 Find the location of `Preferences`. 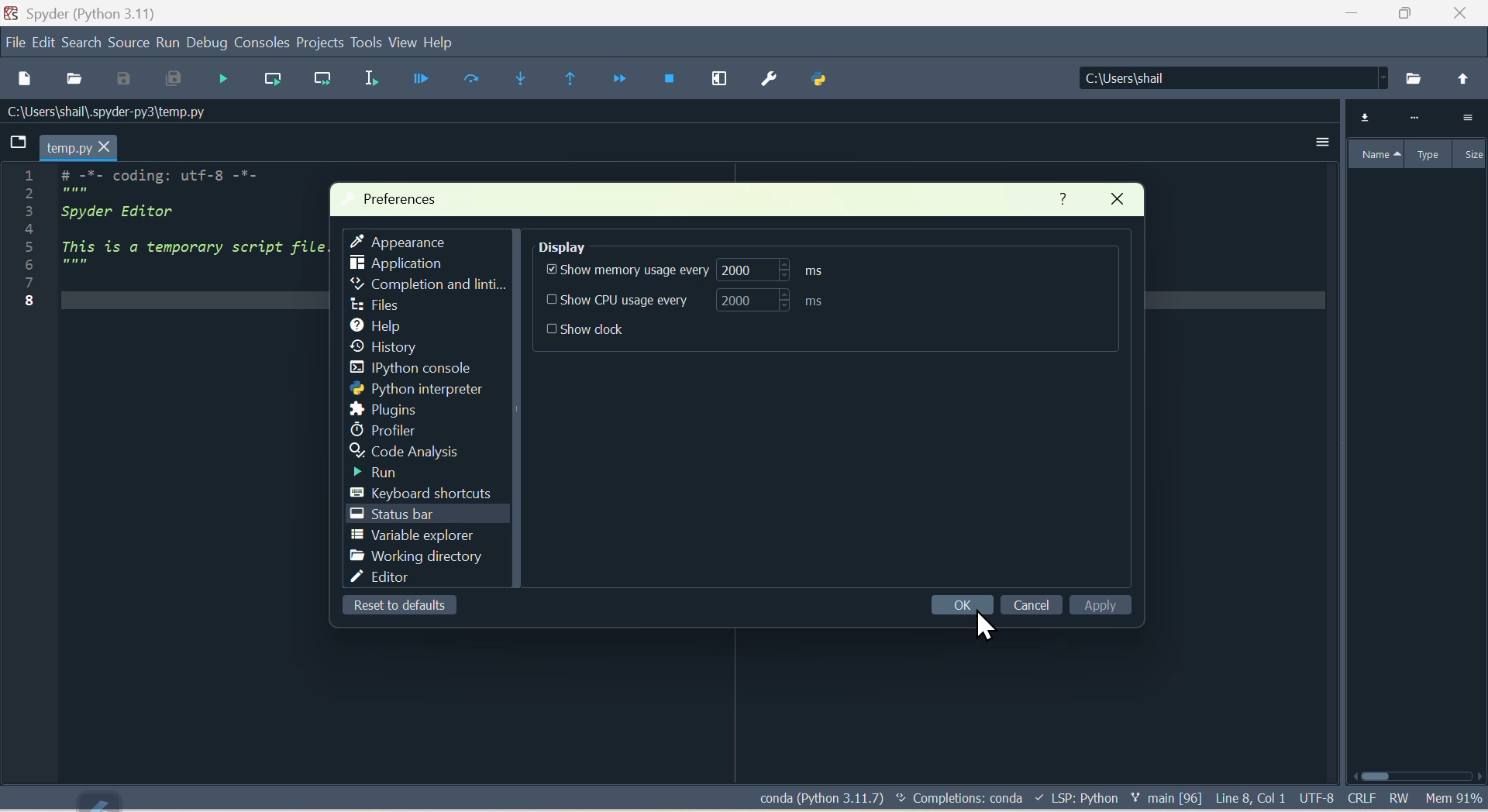

Preferences is located at coordinates (771, 78).